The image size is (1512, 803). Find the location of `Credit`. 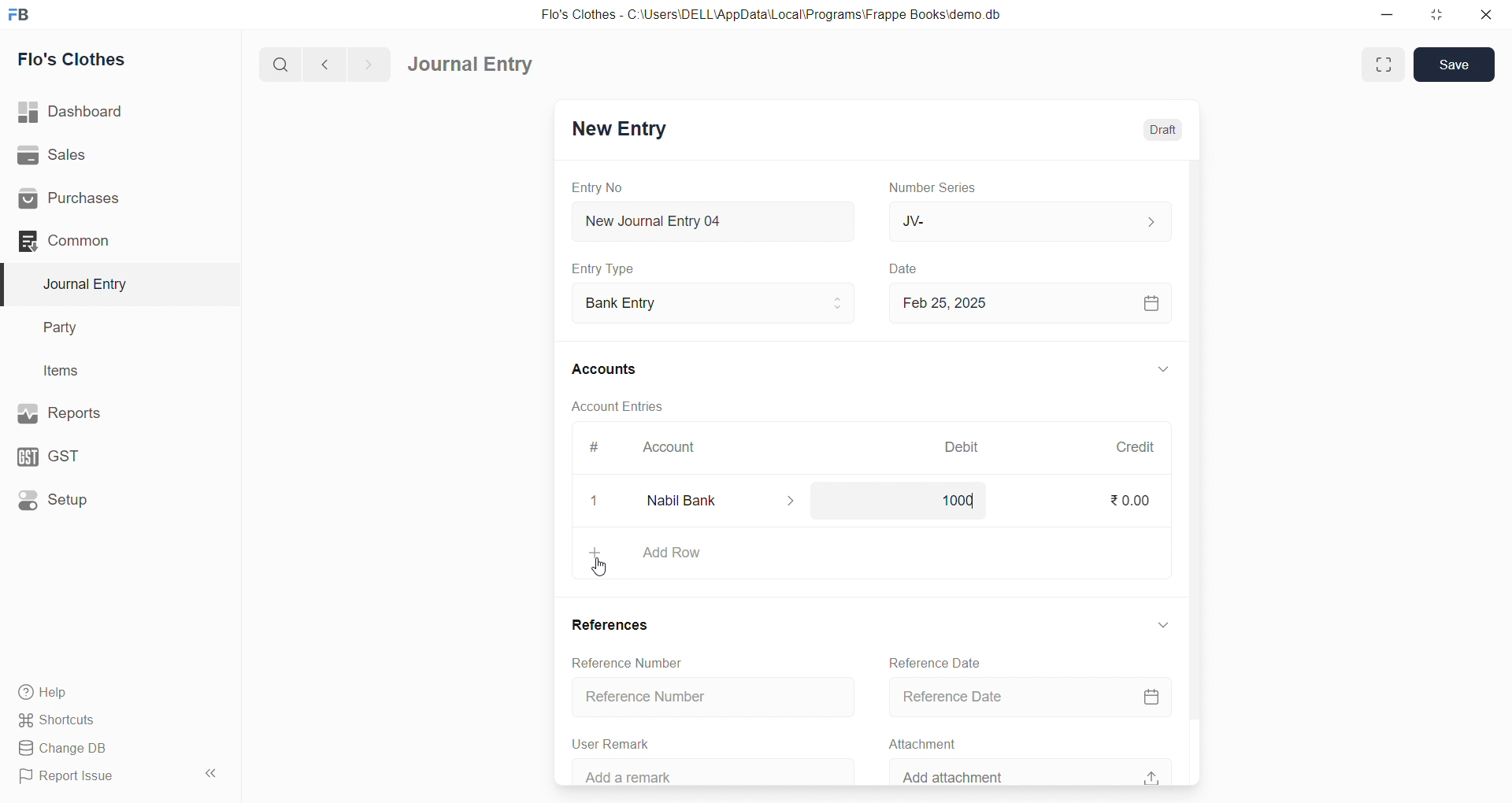

Credit is located at coordinates (1135, 447).